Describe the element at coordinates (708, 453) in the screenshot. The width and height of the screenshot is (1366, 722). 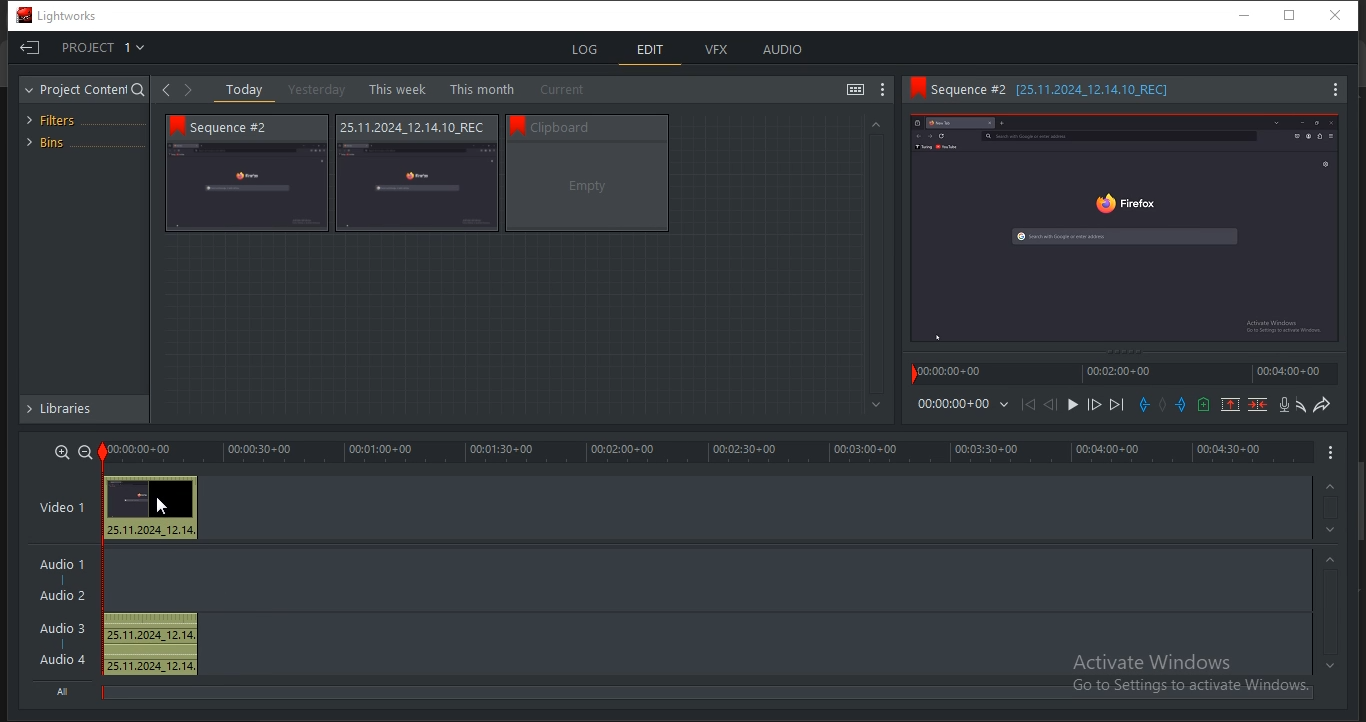
I see `timeline` at that location.